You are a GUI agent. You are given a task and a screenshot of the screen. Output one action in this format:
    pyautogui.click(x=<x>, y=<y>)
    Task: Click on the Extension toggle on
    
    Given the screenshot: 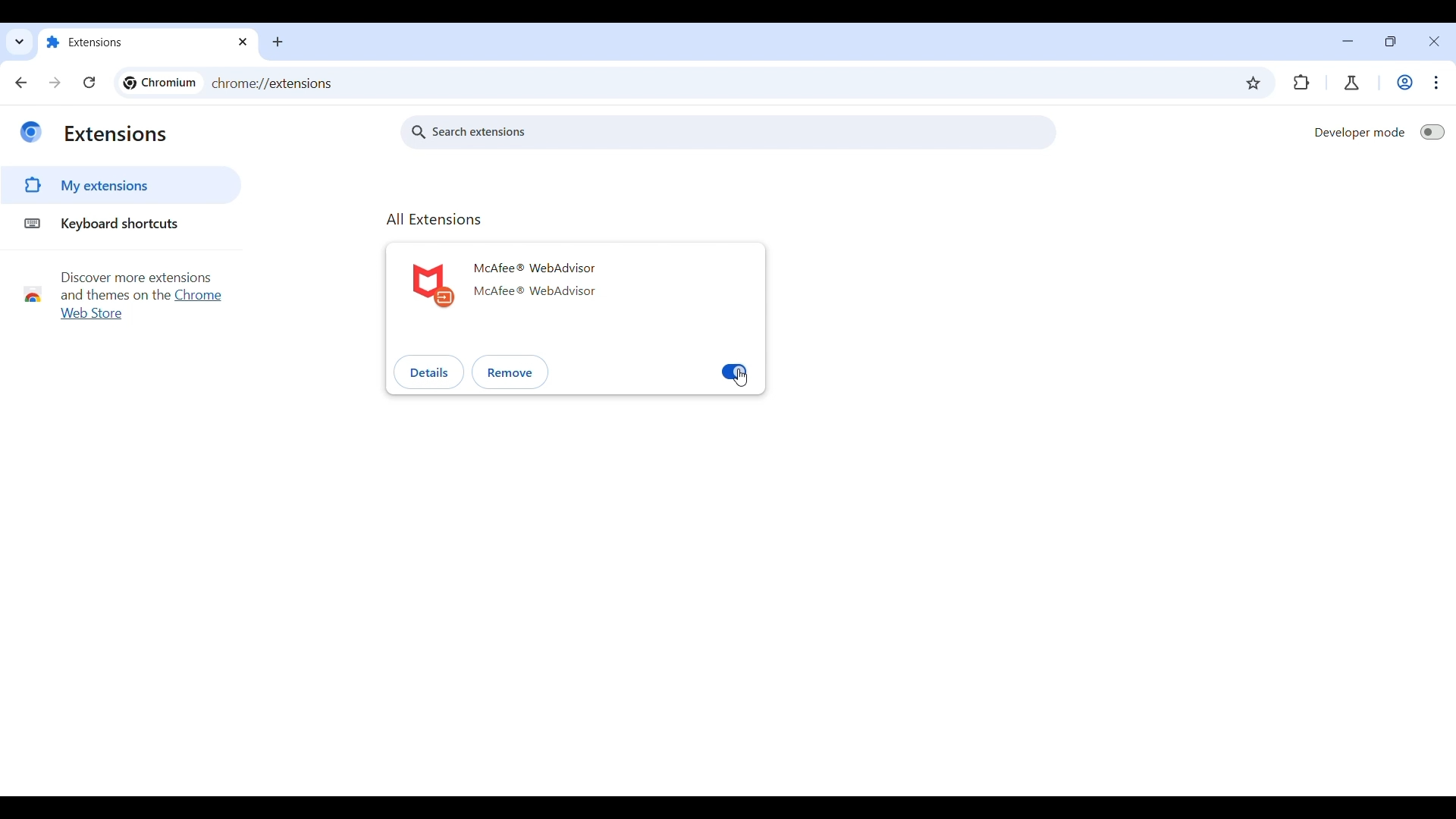 What is the action you would take?
    pyautogui.click(x=734, y=372)
    